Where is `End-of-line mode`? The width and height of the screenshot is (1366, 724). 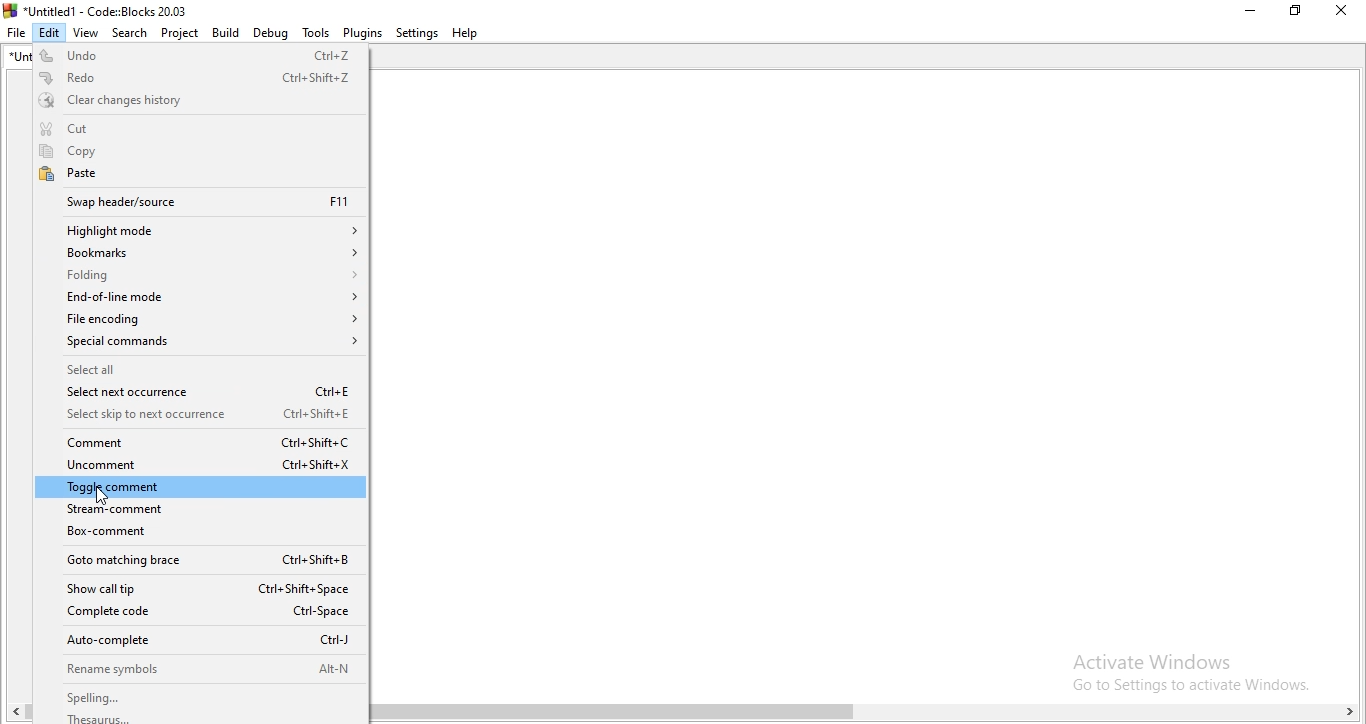
End-of-line mode is located at coordinates (197, 295).